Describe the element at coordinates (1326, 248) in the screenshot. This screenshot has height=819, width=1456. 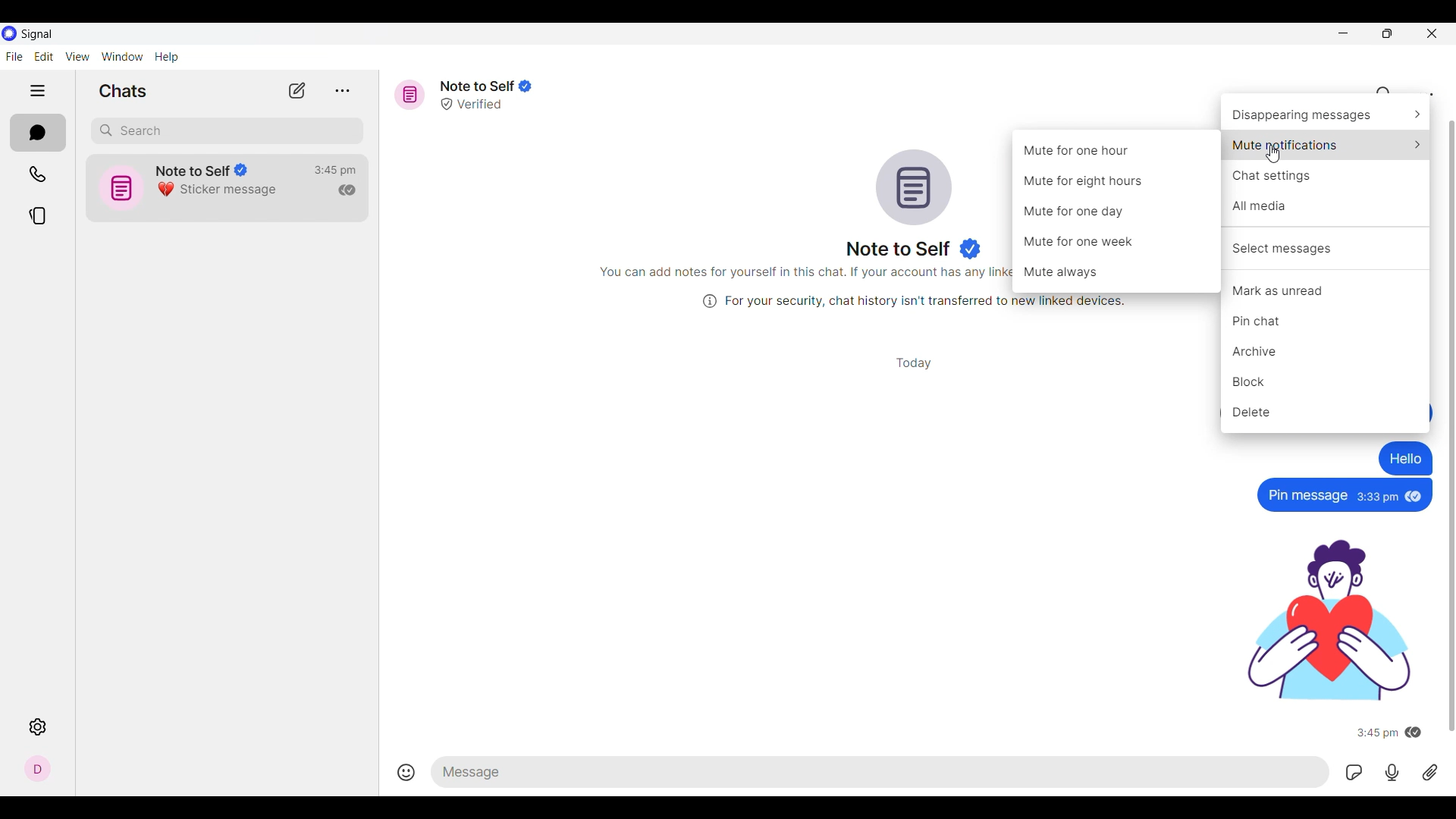
I see `Select messages` at that location.